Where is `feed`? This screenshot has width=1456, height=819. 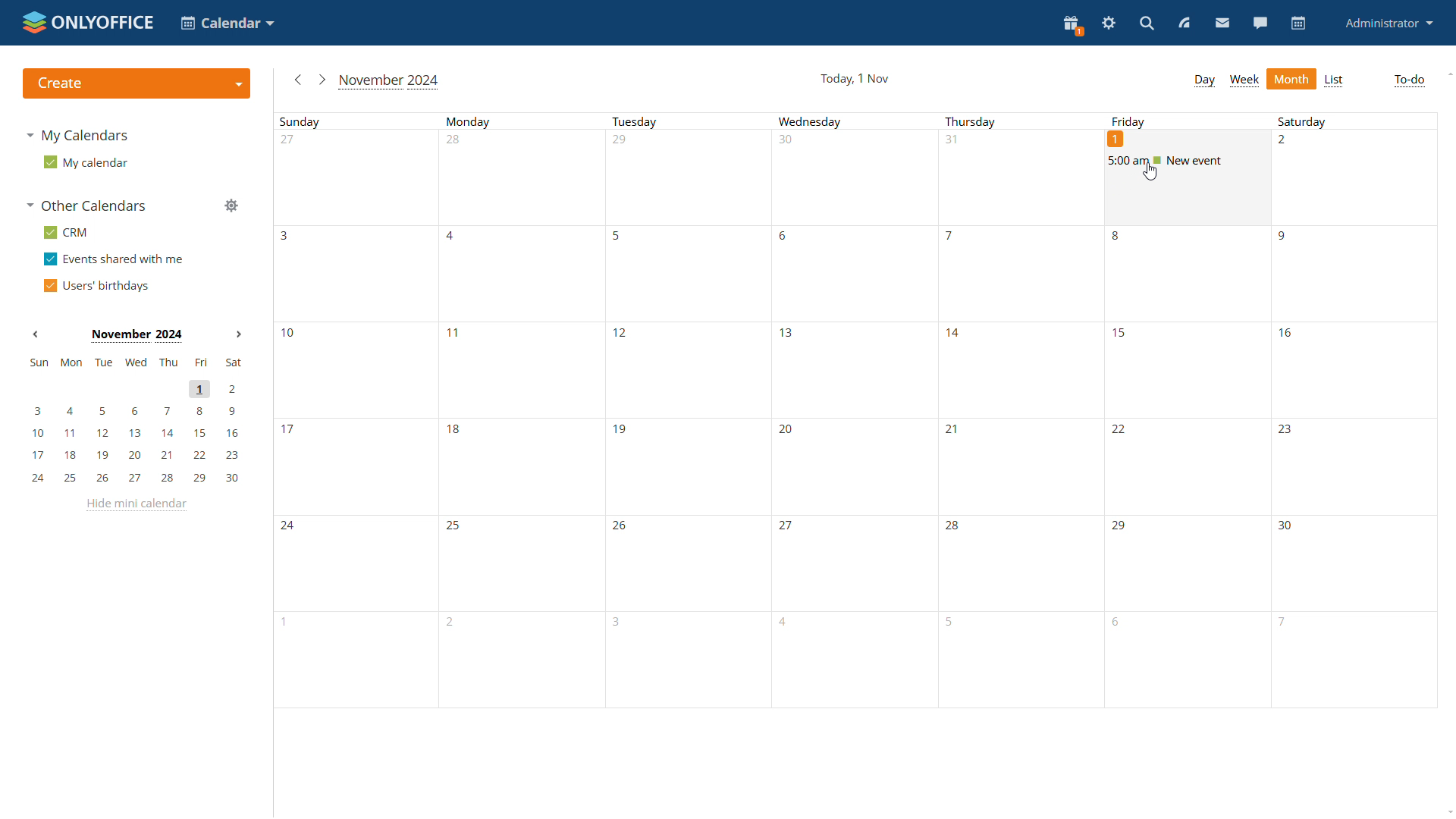
feed is located at coordinates (1182, 23).